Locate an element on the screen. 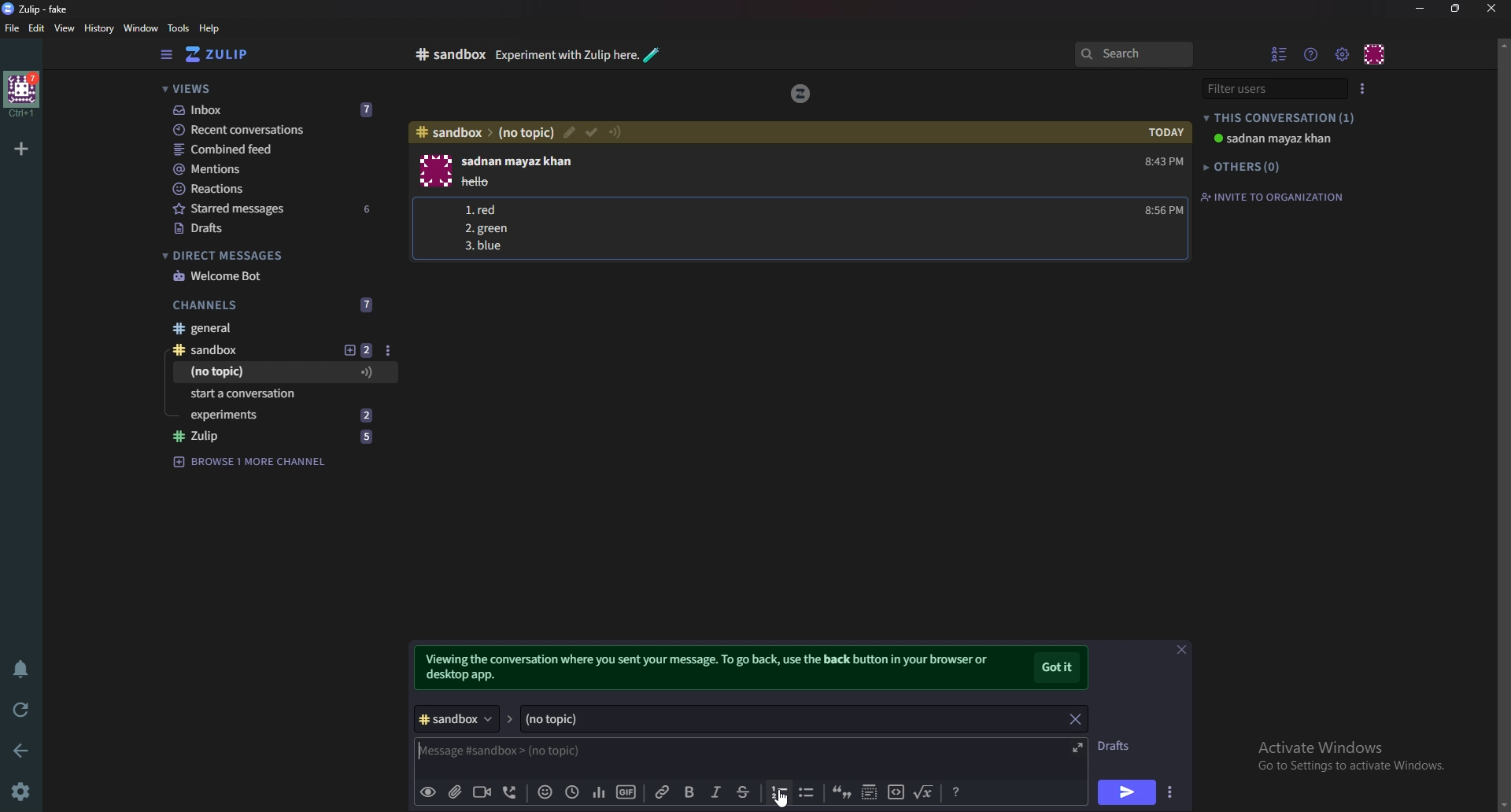 The width and height of the screenshot is (1511, 812). home is located at coordinates (20, 94).